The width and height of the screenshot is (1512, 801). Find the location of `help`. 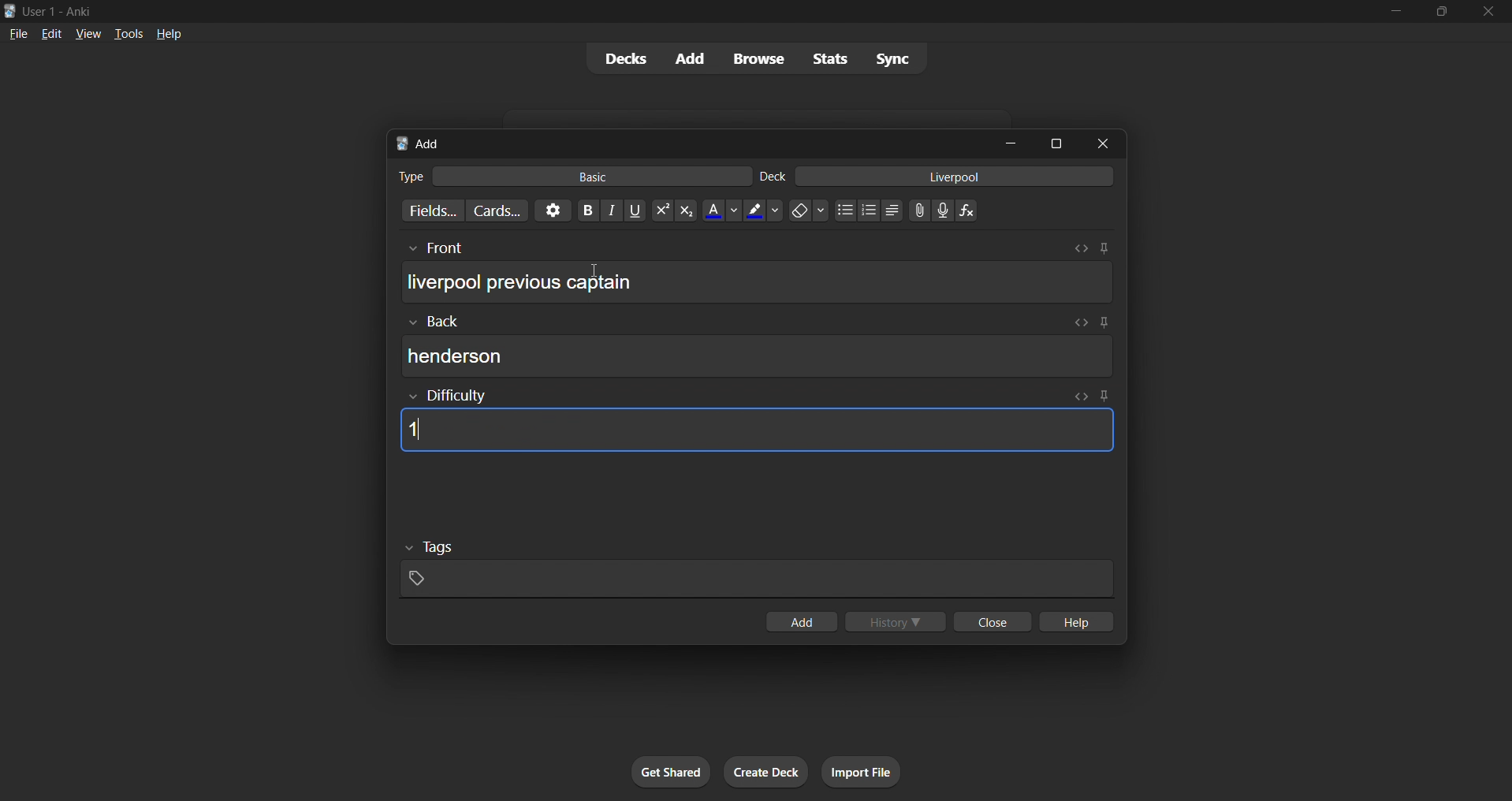

help is located at coordinates (171, 32).